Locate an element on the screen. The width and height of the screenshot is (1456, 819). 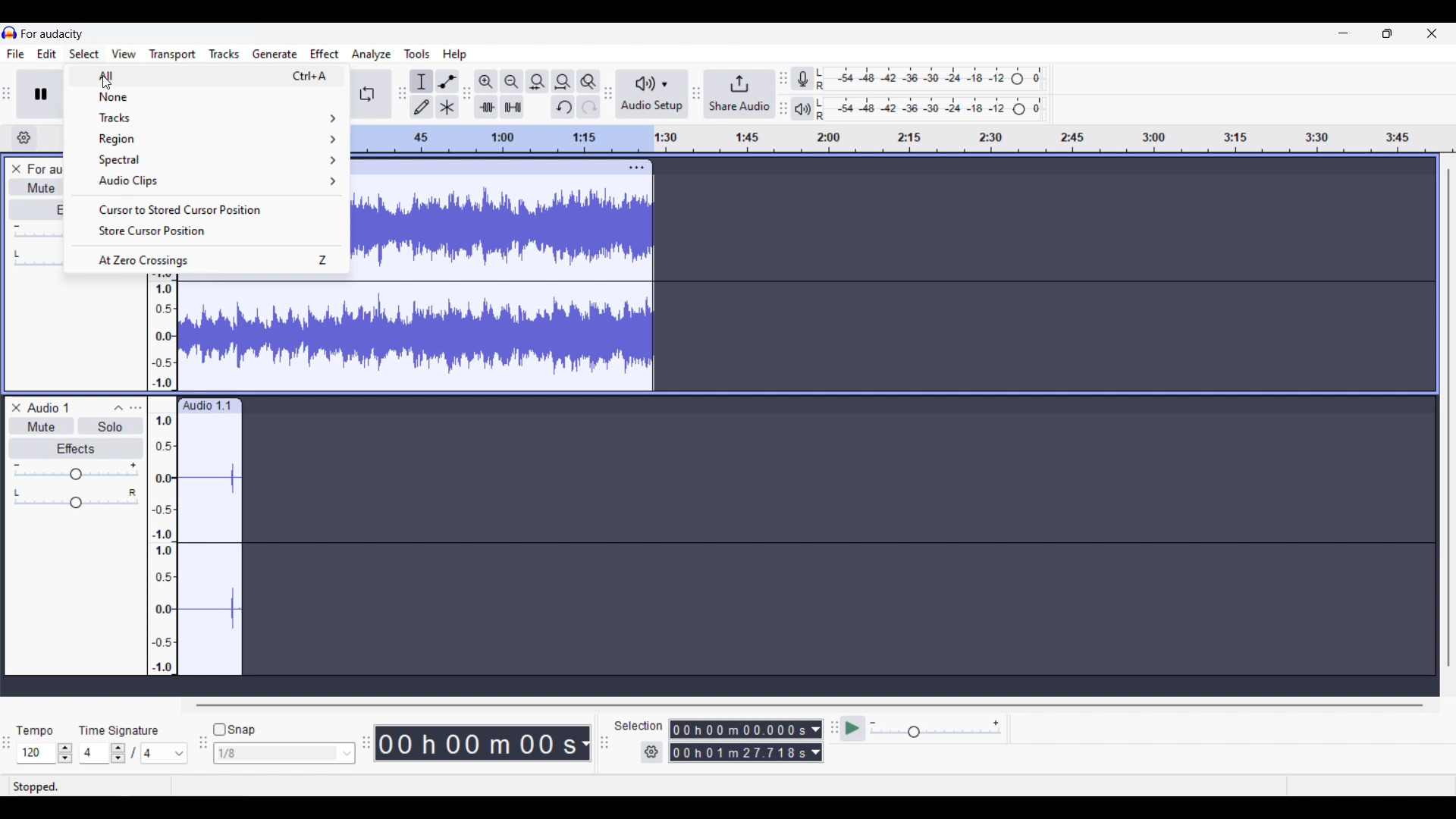
track waveform is located at coordinates (270, 331).